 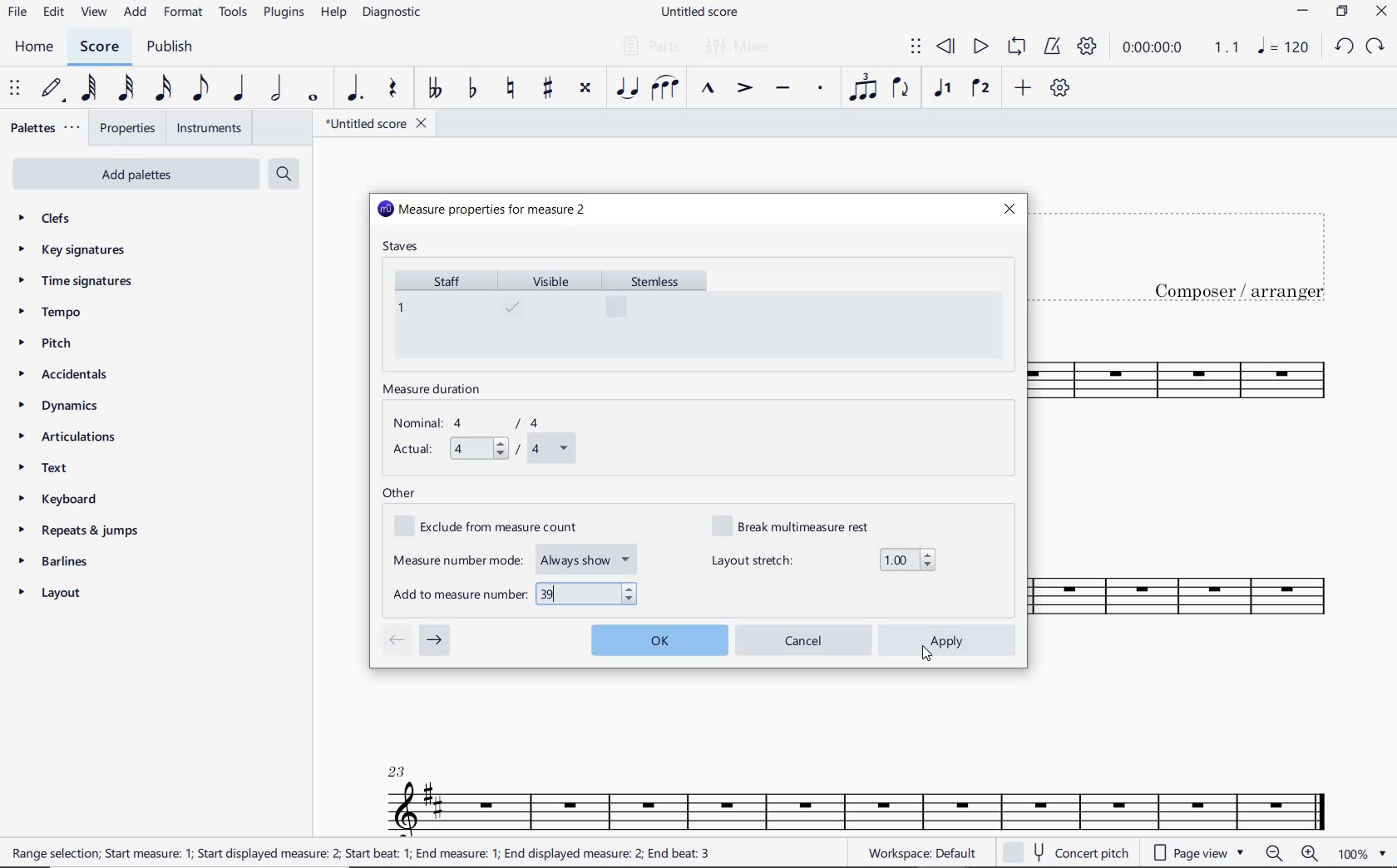 I want to click on TEXT, so click(x=47, y=470).